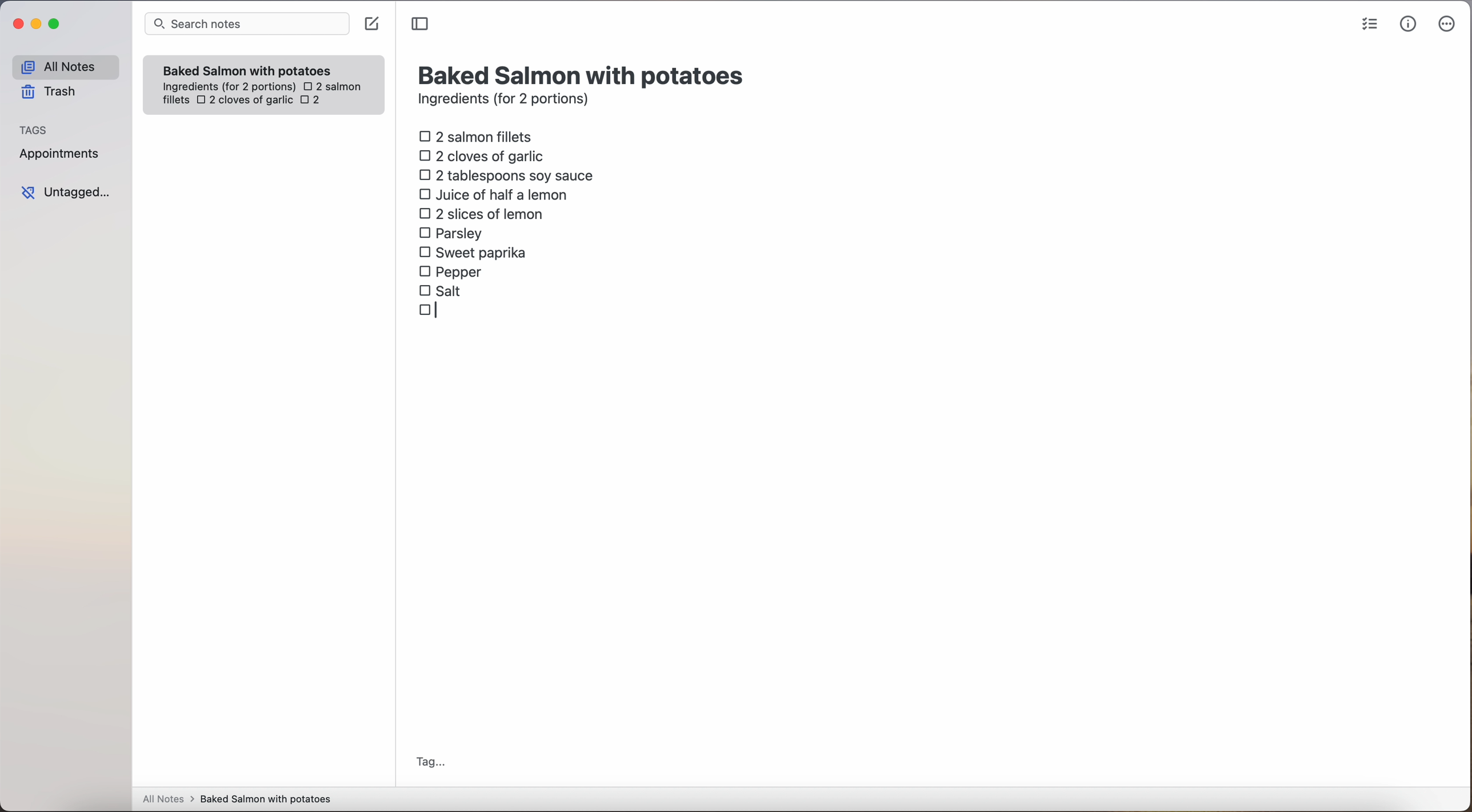 This screenshot has height=812, width=1472. Describe the element at coordinates (314, 101) in the screenshot. I see `2 ` at that location.